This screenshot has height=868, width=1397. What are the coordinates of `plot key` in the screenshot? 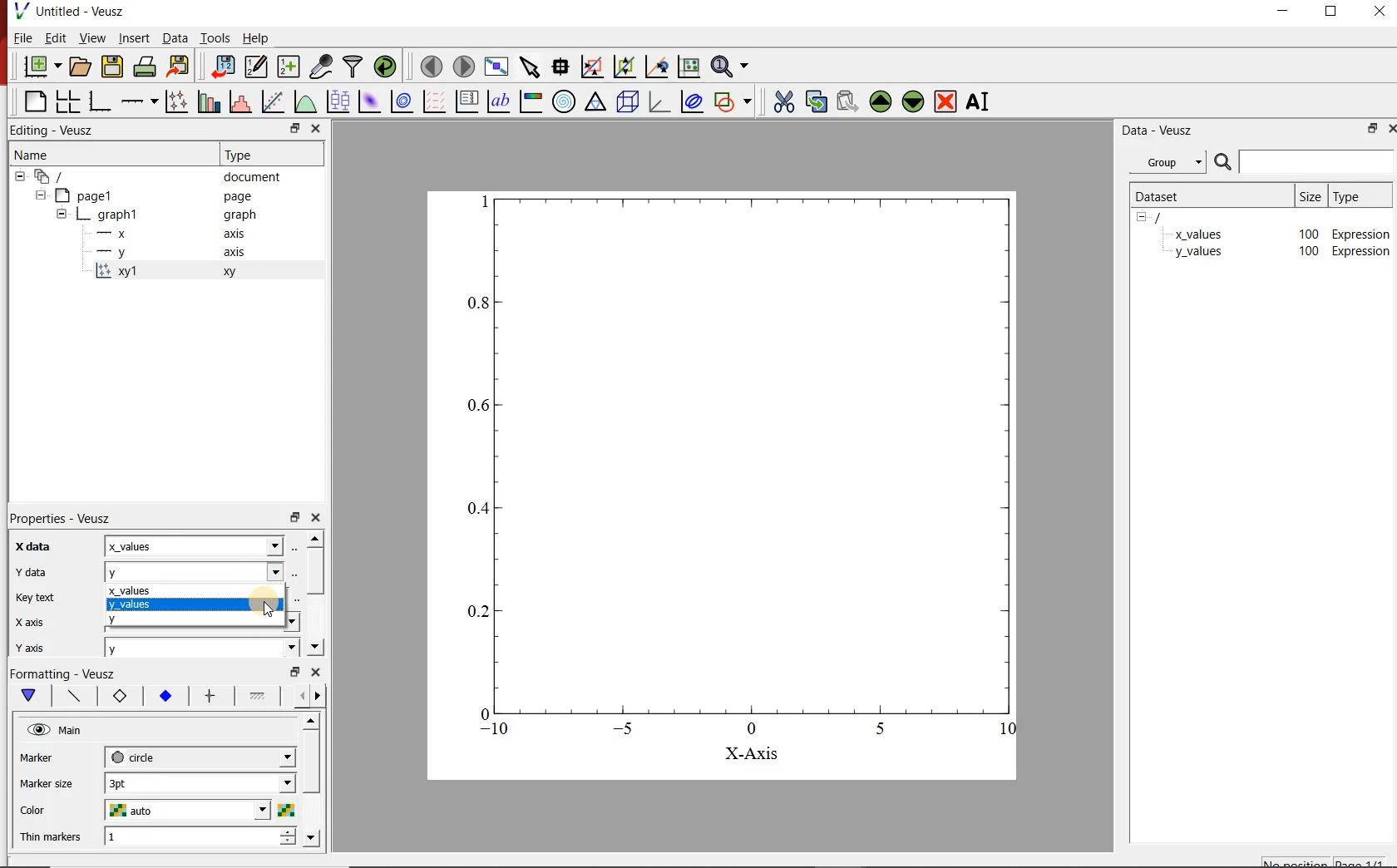 It's located at (468, 101).